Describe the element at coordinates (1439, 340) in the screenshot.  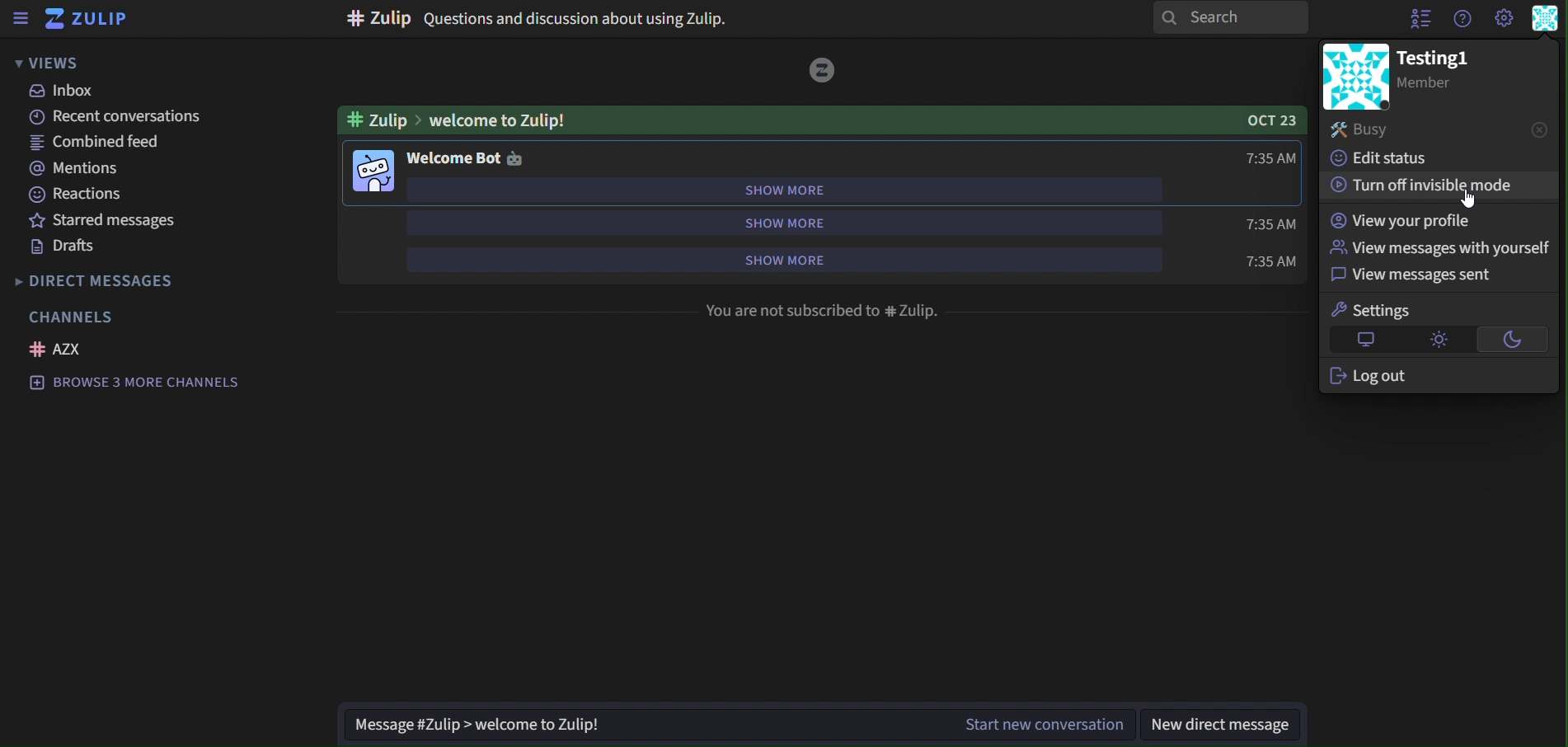
I see `light theme` at that location.